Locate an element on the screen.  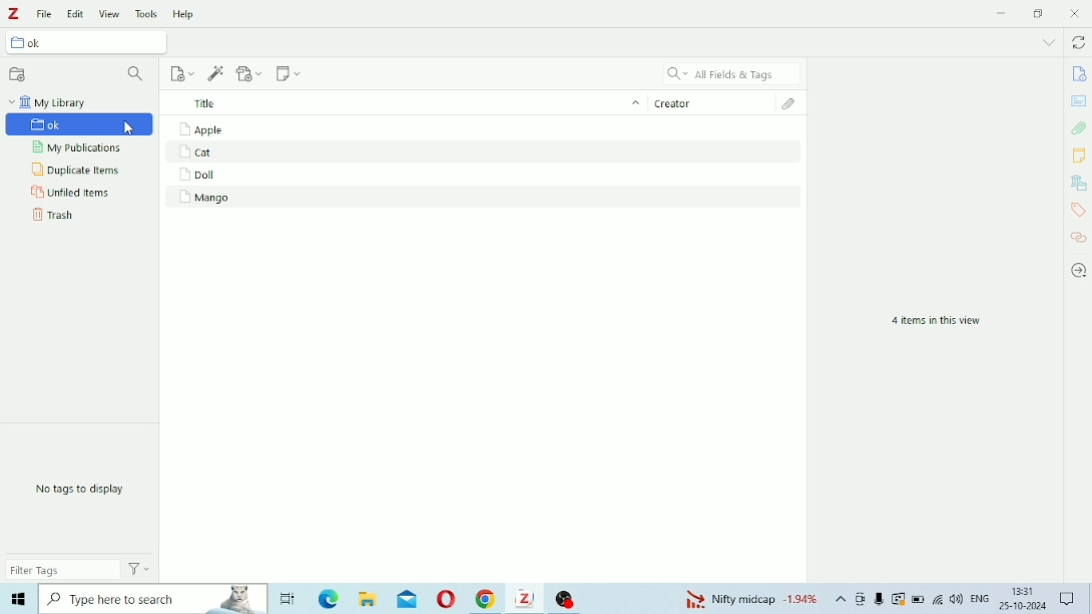
Logo is located at coordinates (12, 14).